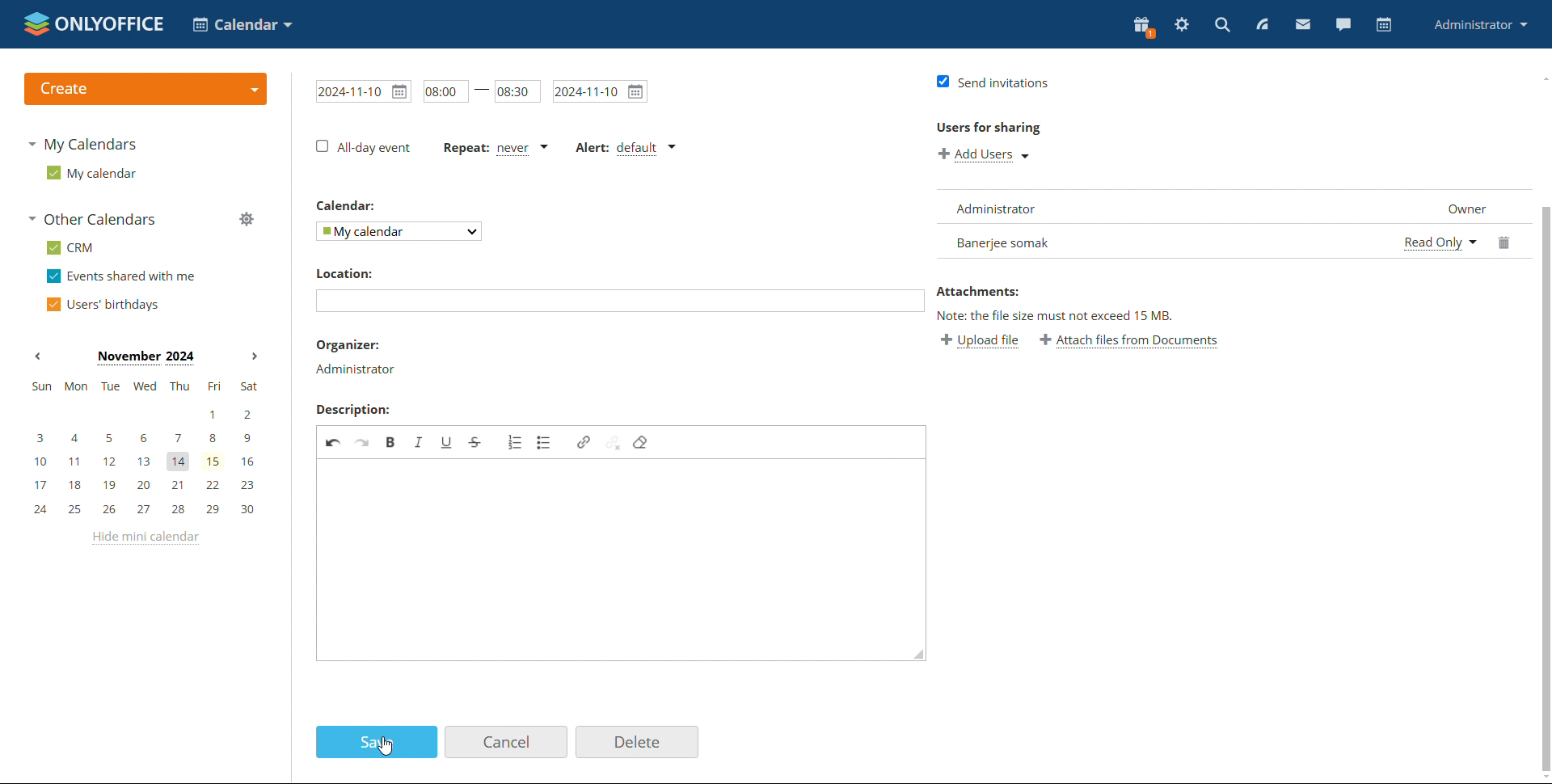  Describe the element at coordinates (492, 146) in the screenshot. I see `event repetition` at that location.